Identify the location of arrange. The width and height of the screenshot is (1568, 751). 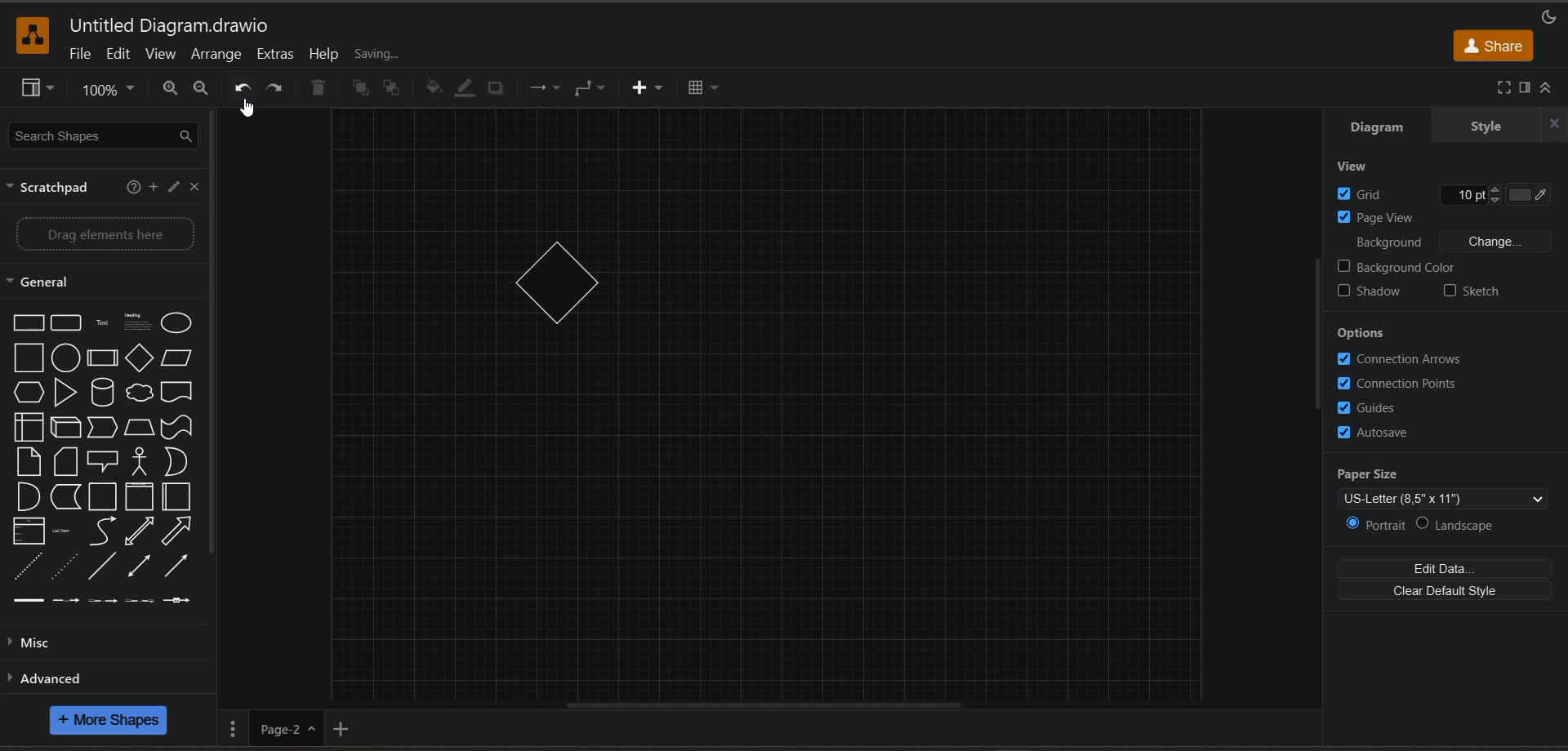
(216, 56).